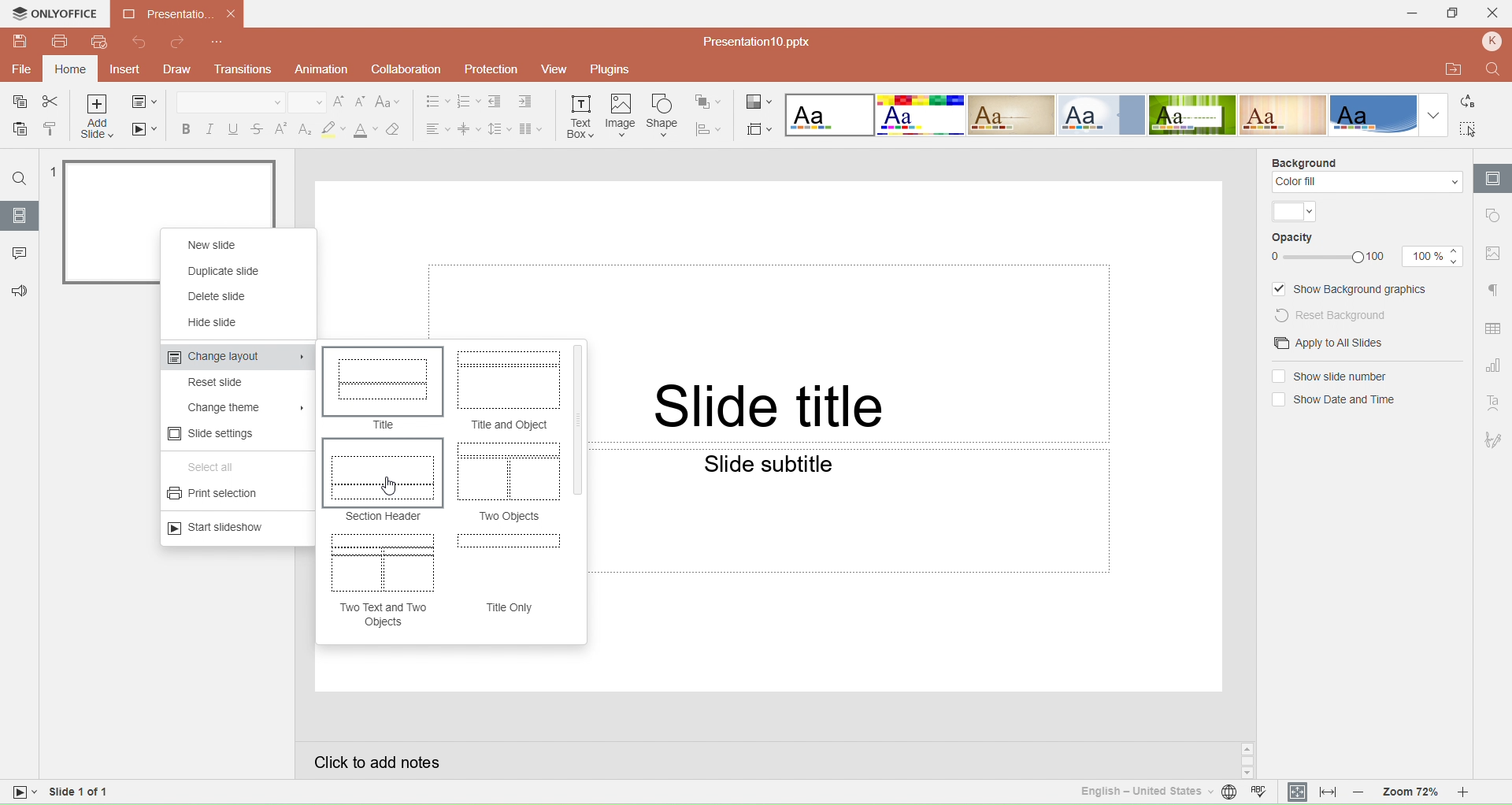 This screenshot has width=1512, height=805. Describe the element at coordinates (1492, 217) in the screenshot. I see `Slide setting` at that location.